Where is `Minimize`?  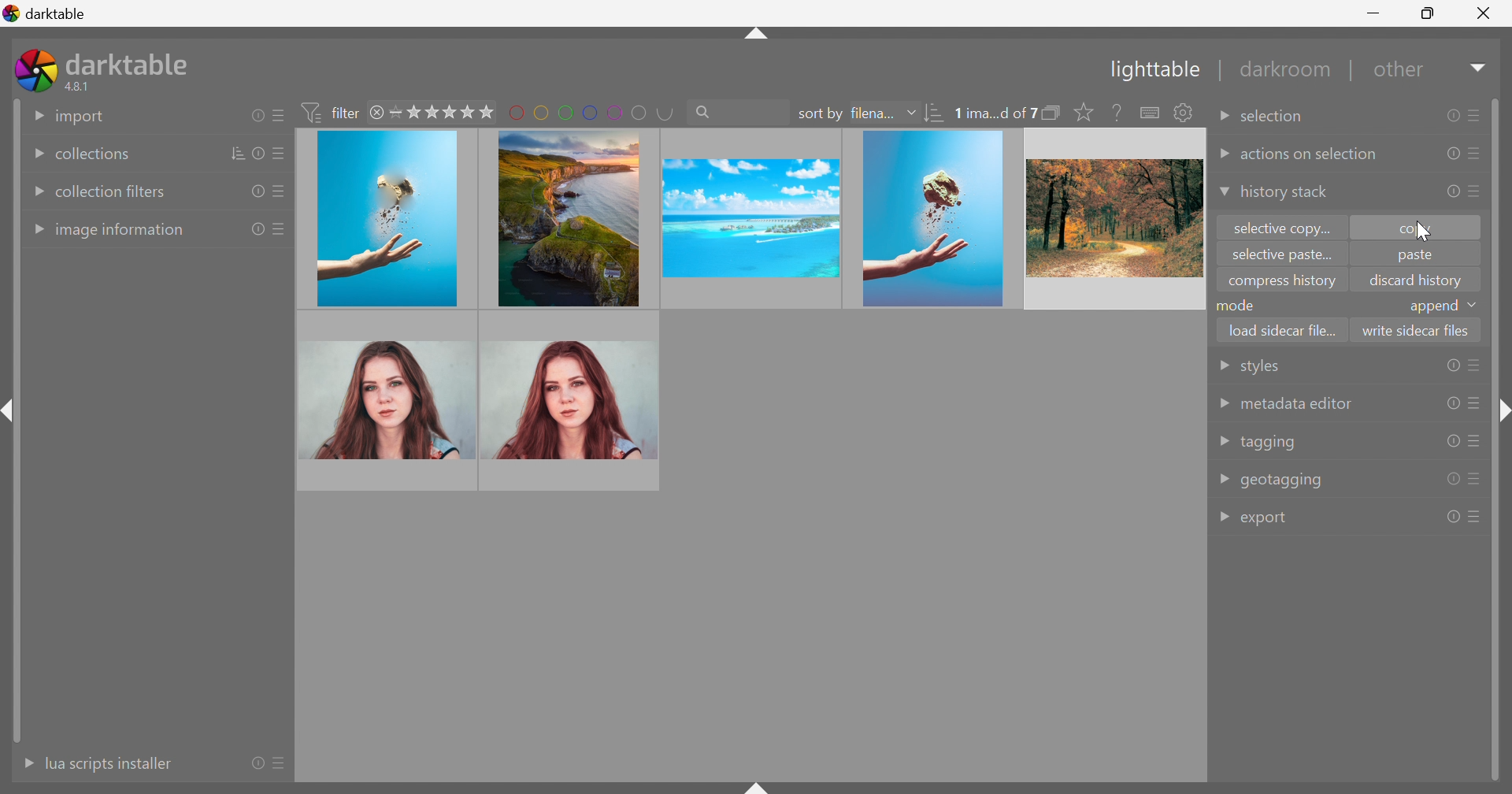 Minimize is located at coordinates (1377, 12).